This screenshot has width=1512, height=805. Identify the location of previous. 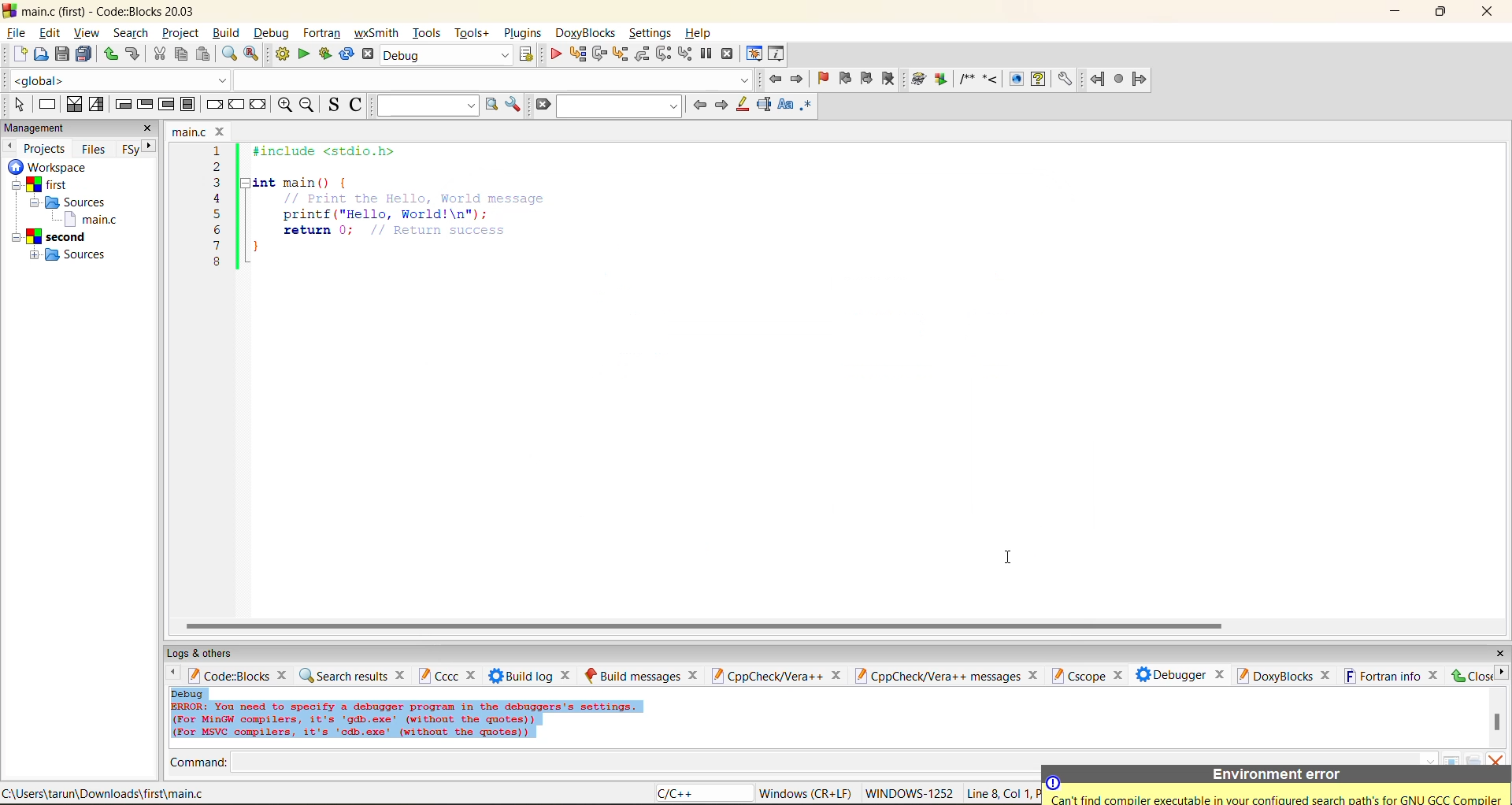
(9, 146).